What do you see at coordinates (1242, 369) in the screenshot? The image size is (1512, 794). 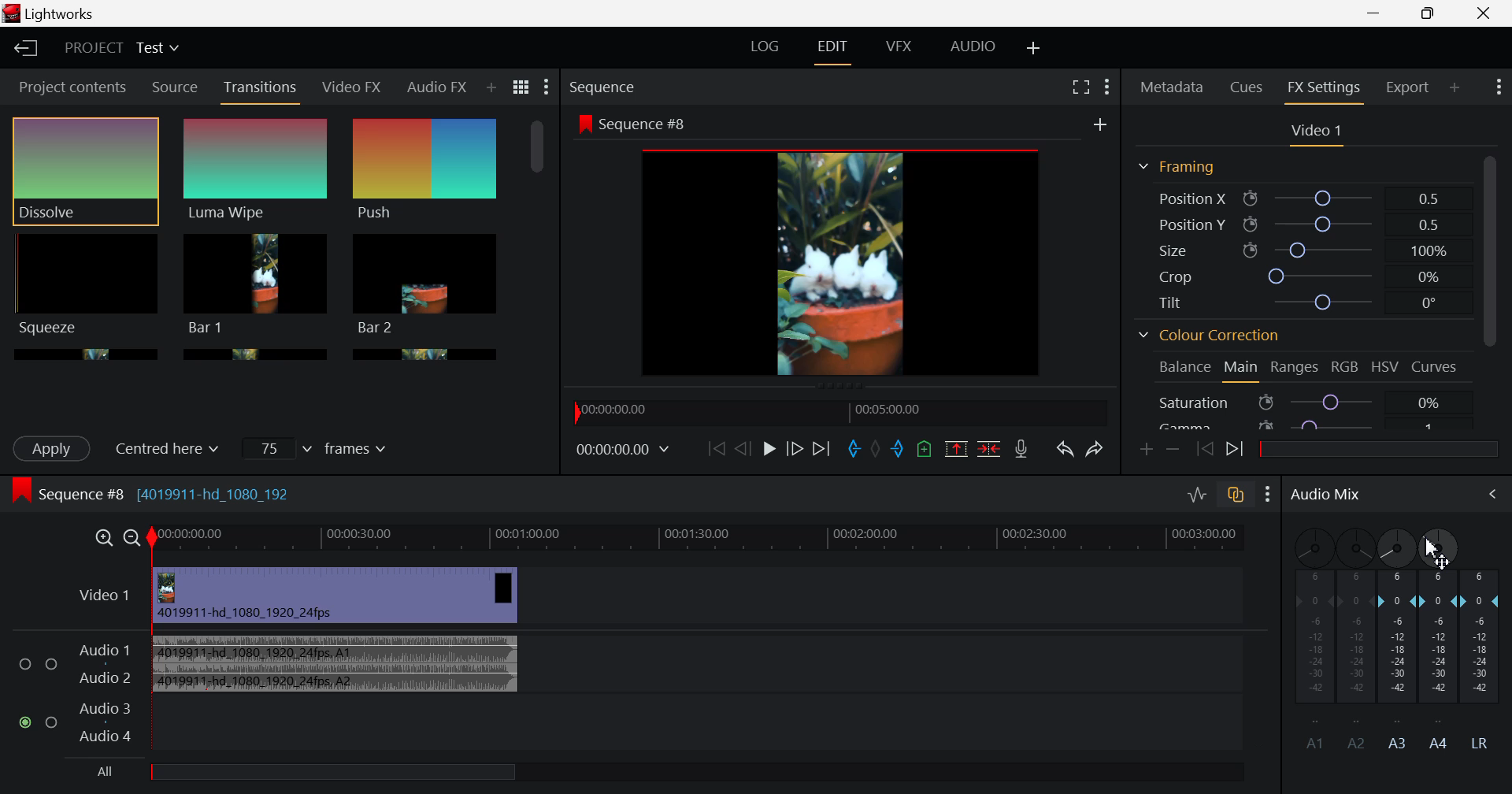 I see `Main Tab Open` at bounding box center [1242, 369].